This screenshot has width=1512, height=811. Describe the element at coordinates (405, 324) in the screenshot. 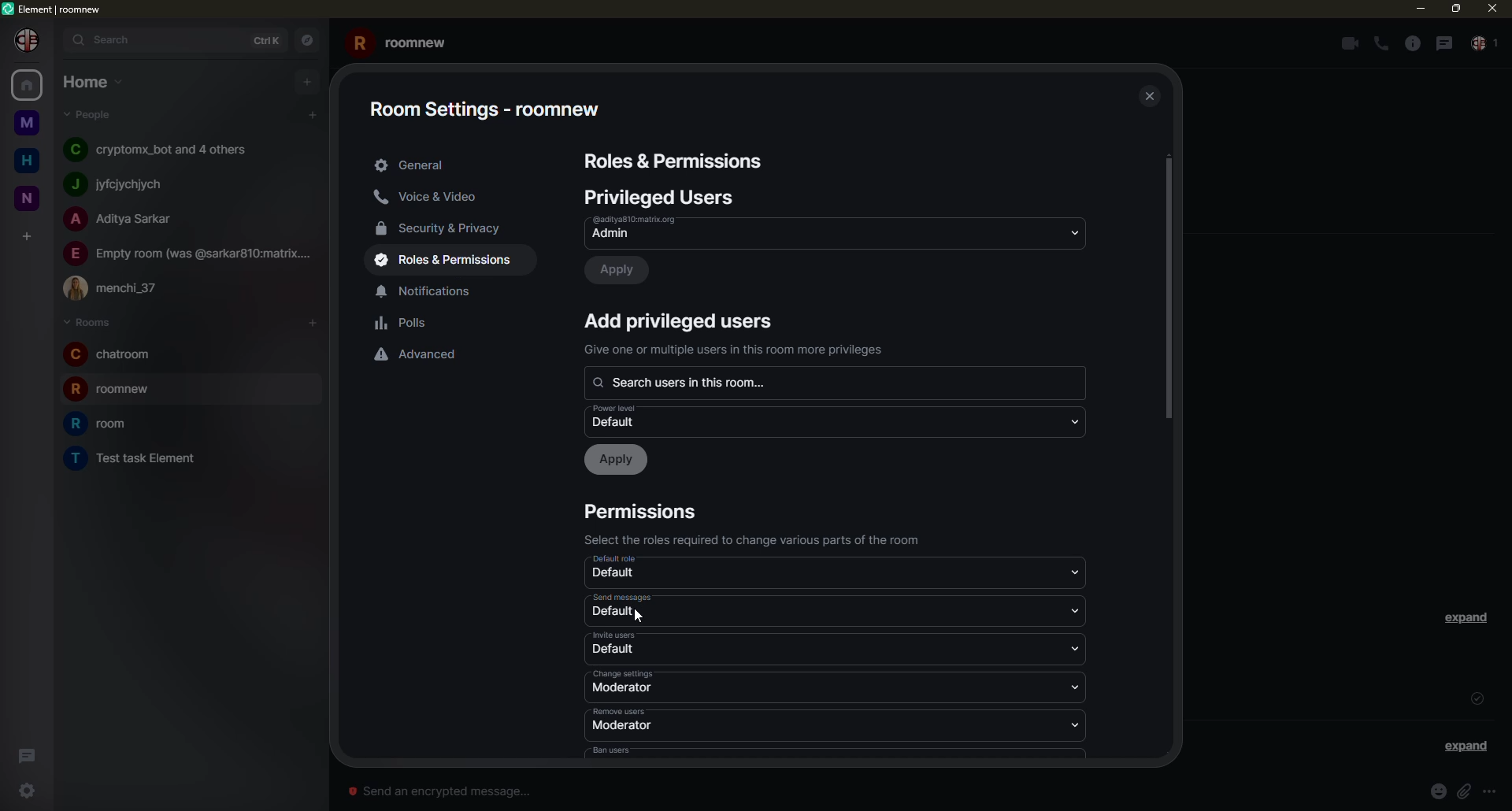

I see `polls` at that location.